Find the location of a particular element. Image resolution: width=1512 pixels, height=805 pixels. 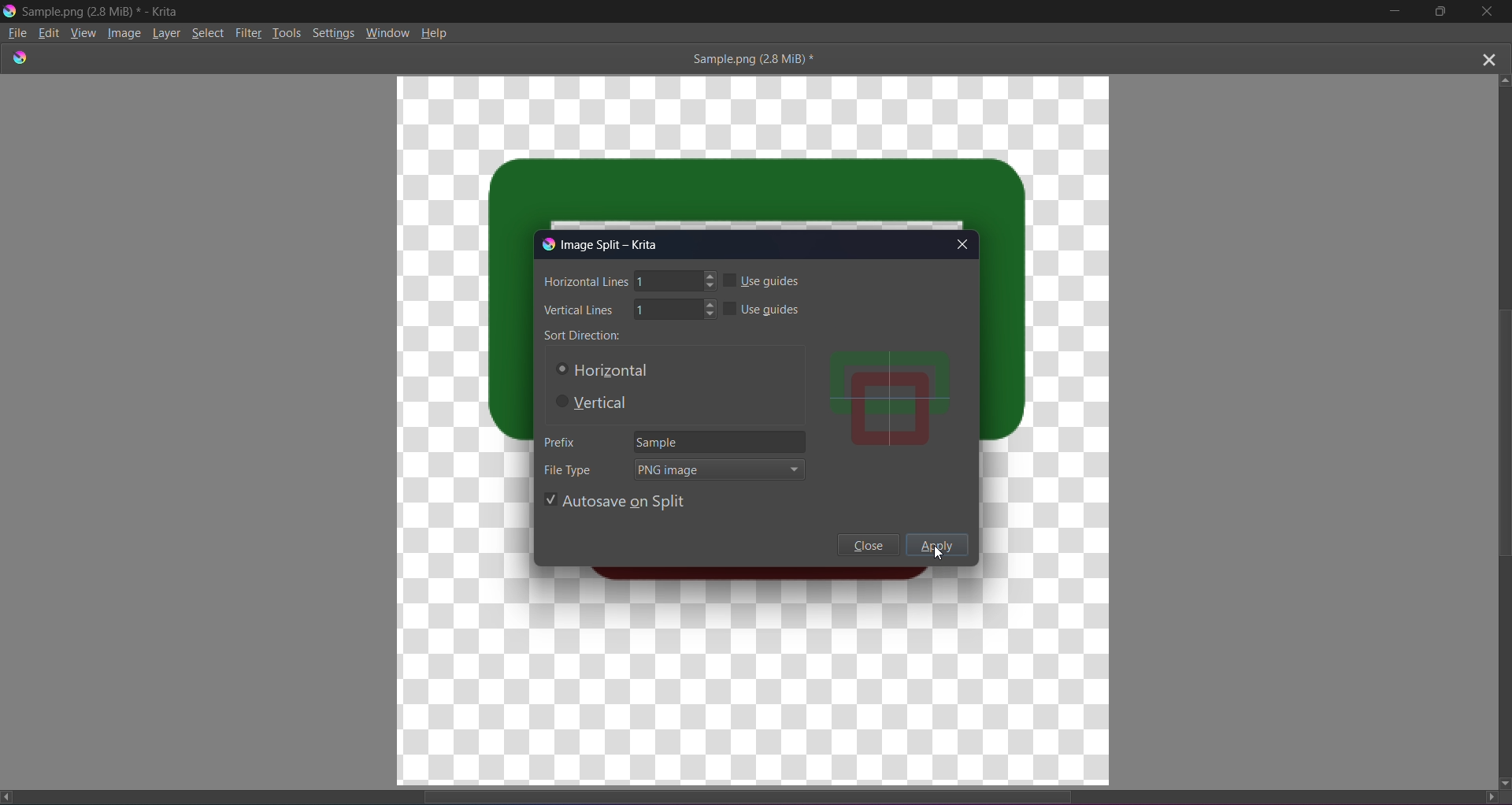

MInimize is located at coordinates (1392, 12).